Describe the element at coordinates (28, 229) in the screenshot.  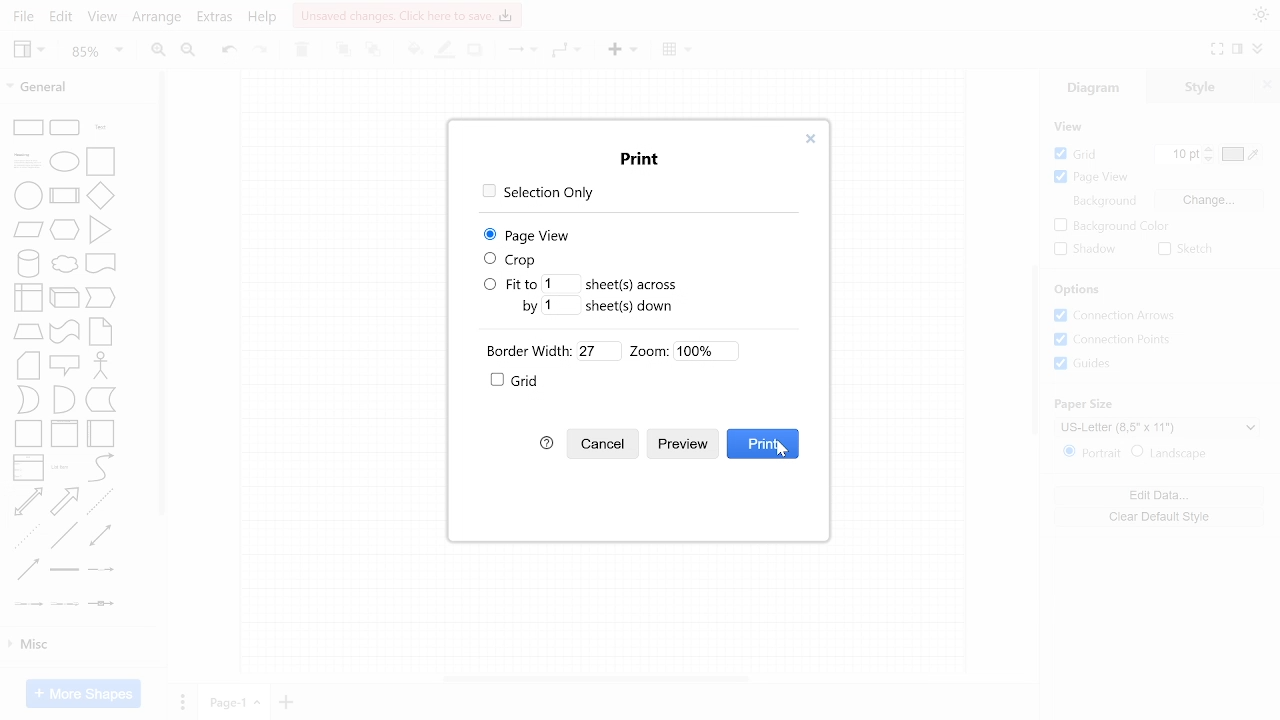
I see `Parallelogram` at that location.